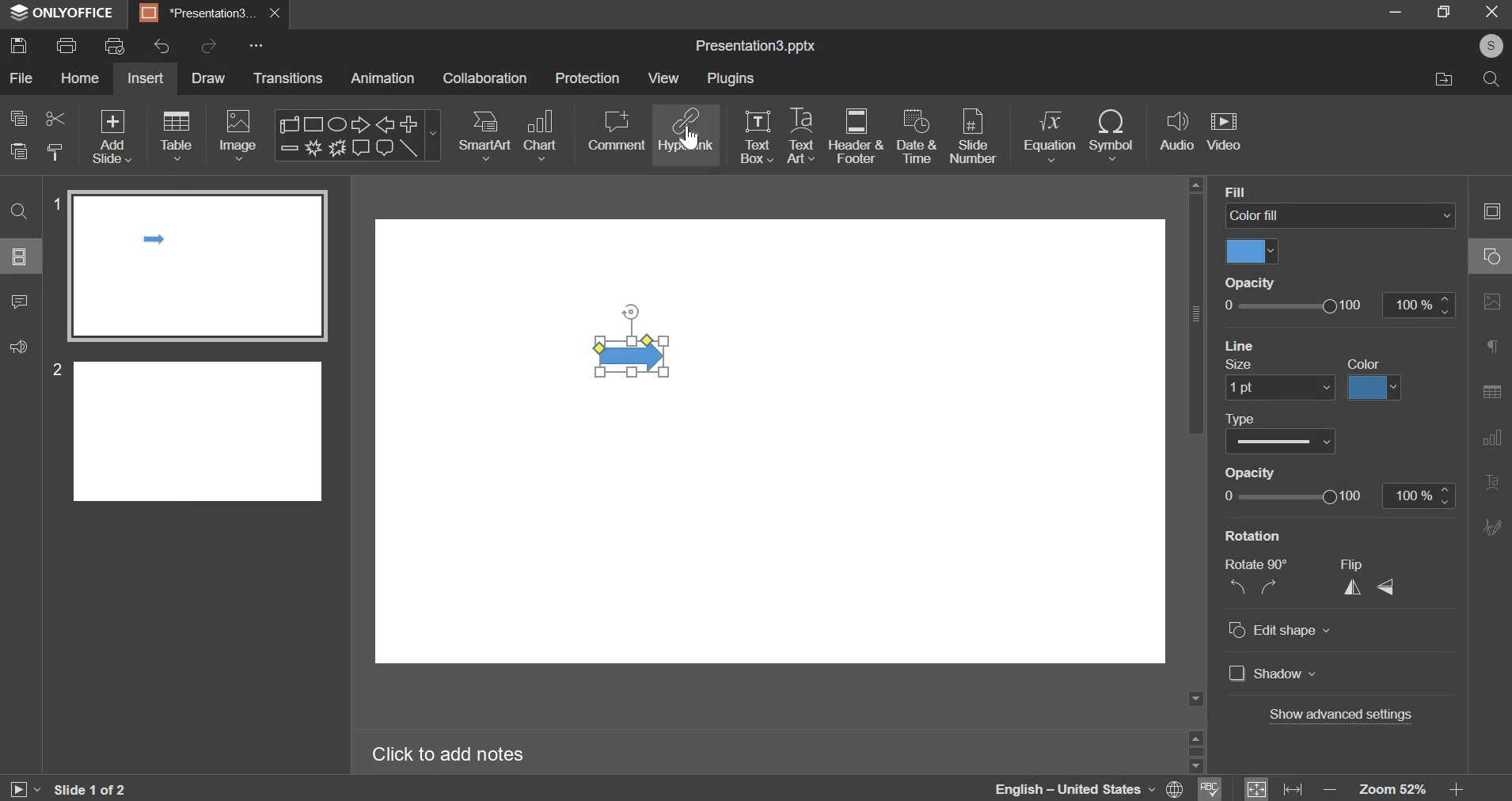 The width and height of the screenshot is (1512, 801). Describe the element at coordinates (633, 340) in the screenshot. I see `right arrow shape selected` at that location.